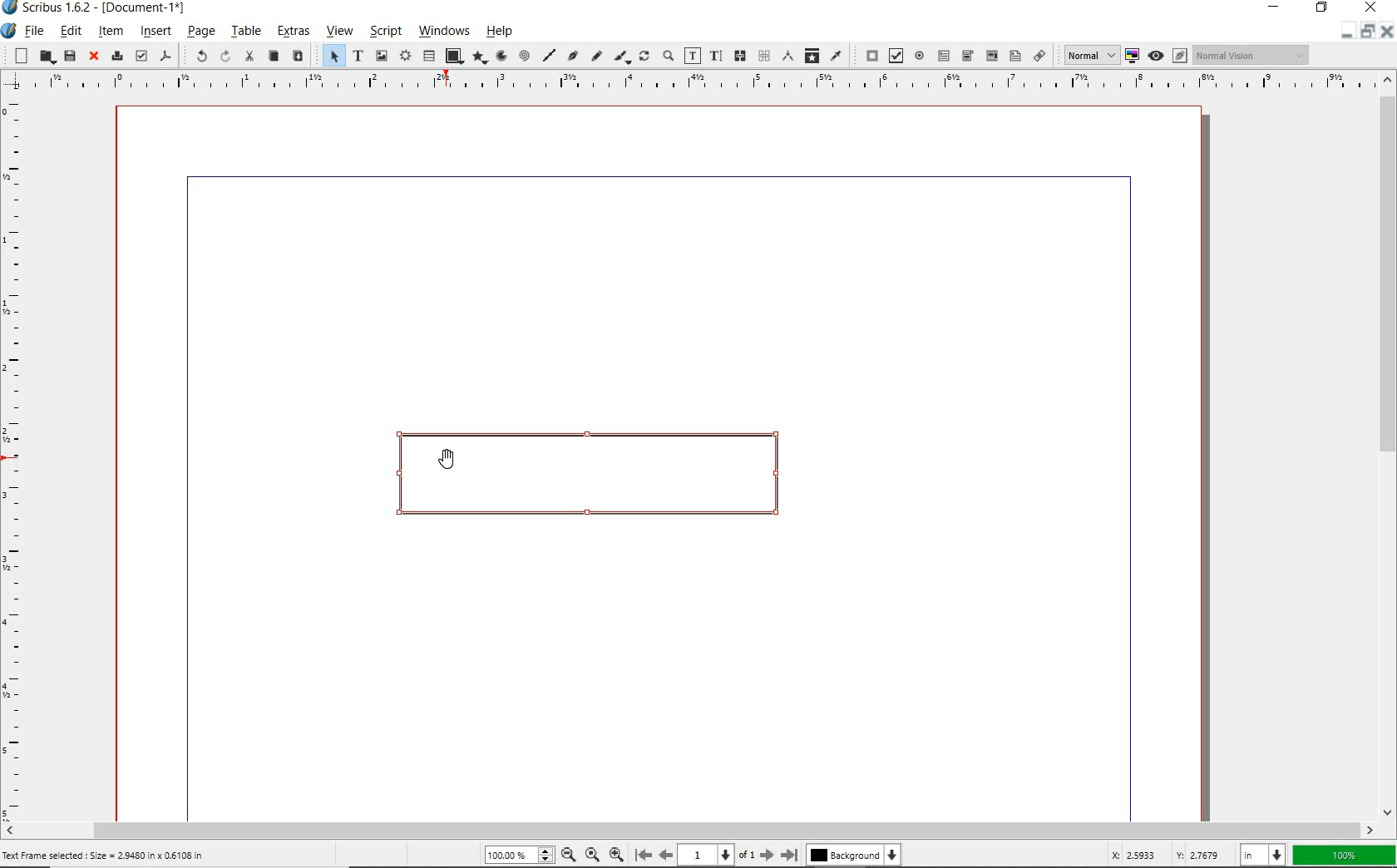  What do you see at coordinates (116, 55) in the screenshot?
I see `print` at bounding box center [116, 55].